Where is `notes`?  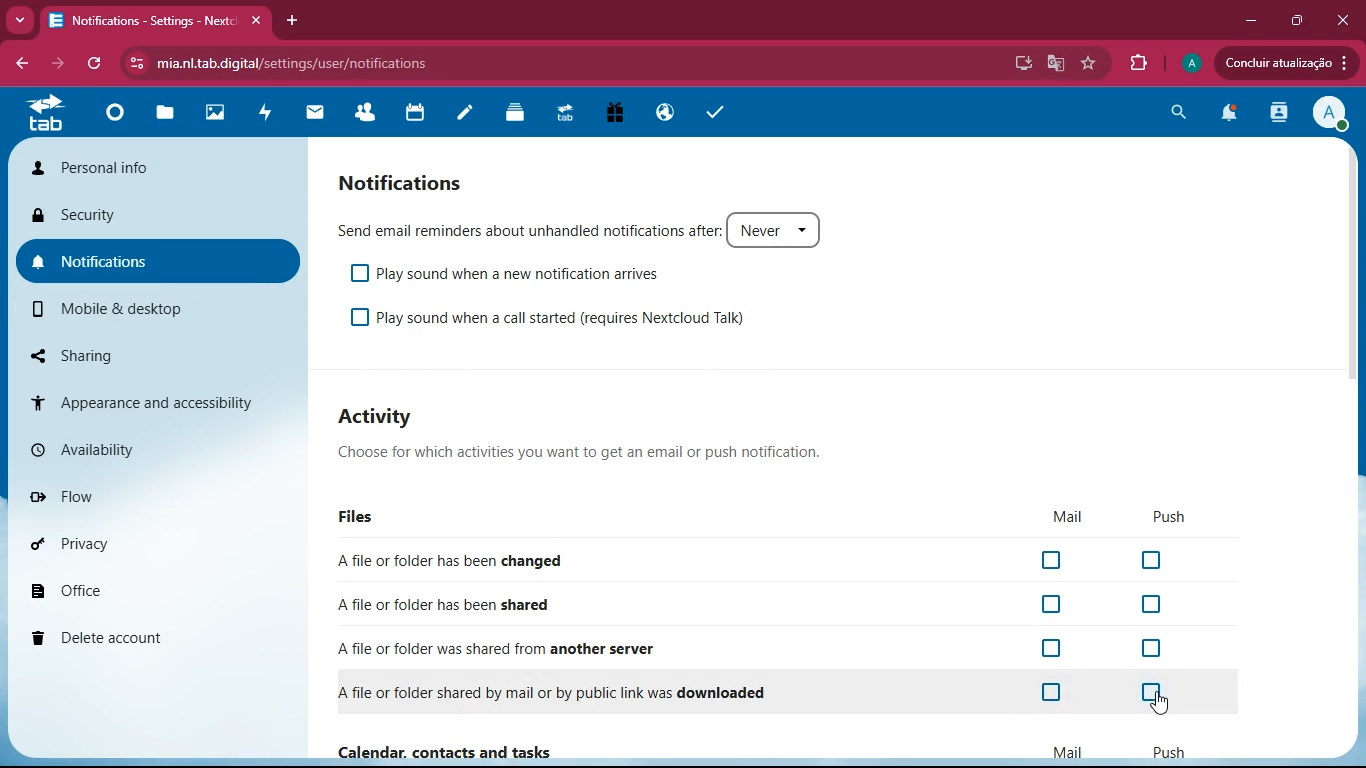
notes is located at coordinates (465, 116).